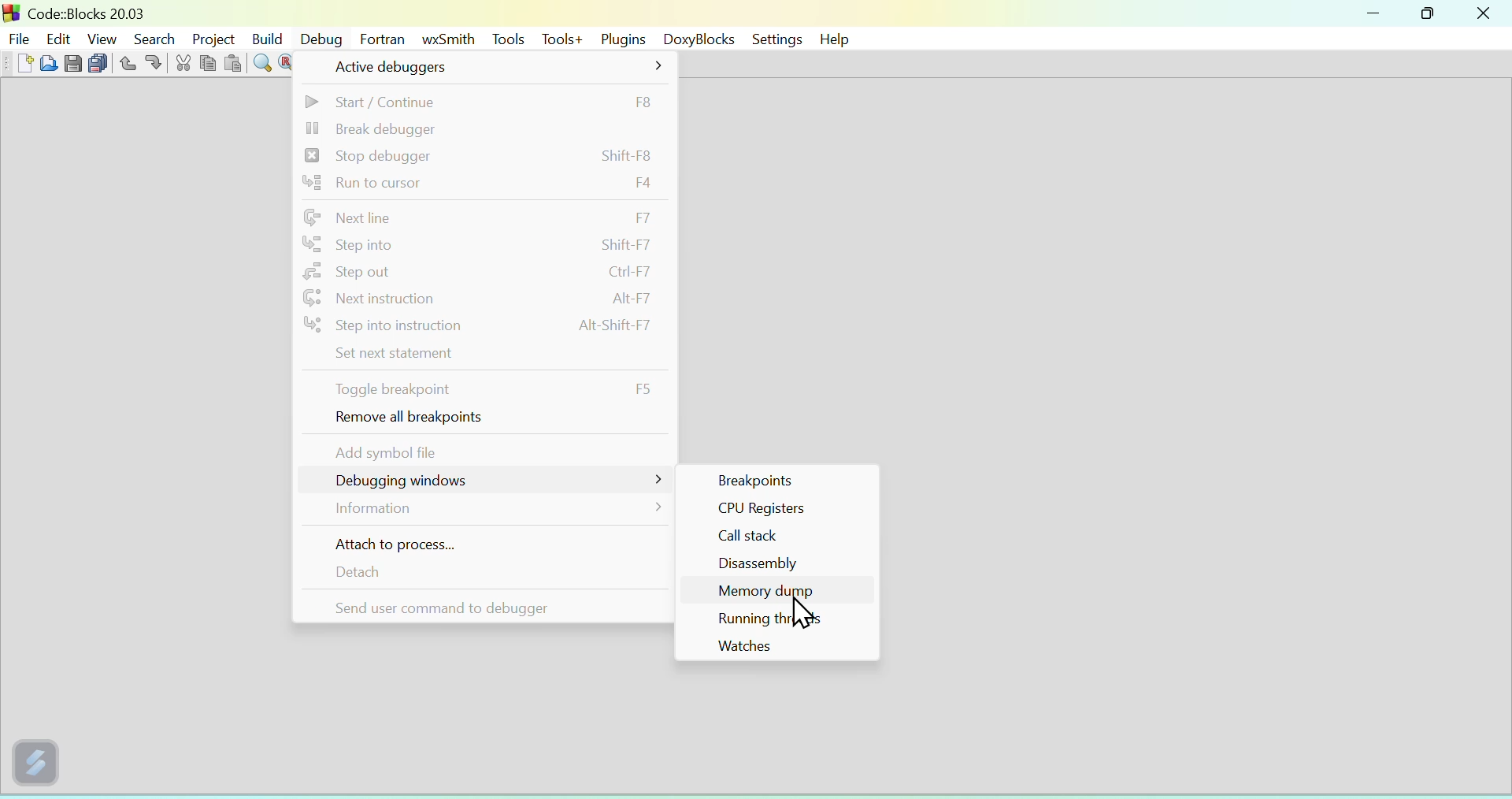 This screenshot has height=799, width=1512. Describe the element at coordinates (102, 37) in the screenshot. I see `View` at that location.